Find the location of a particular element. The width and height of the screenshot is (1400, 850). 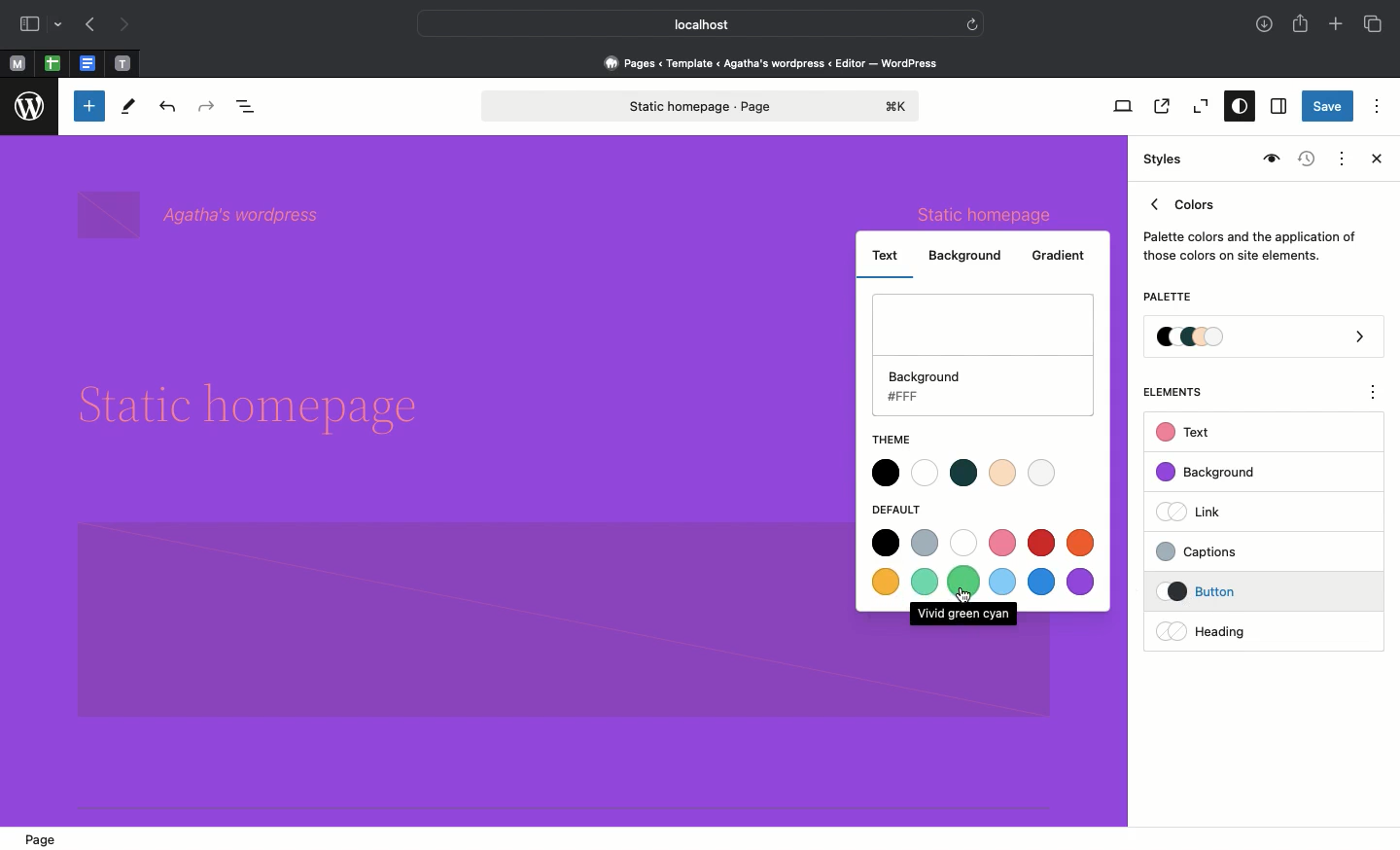

Share is located at coordinates (1302, 23).